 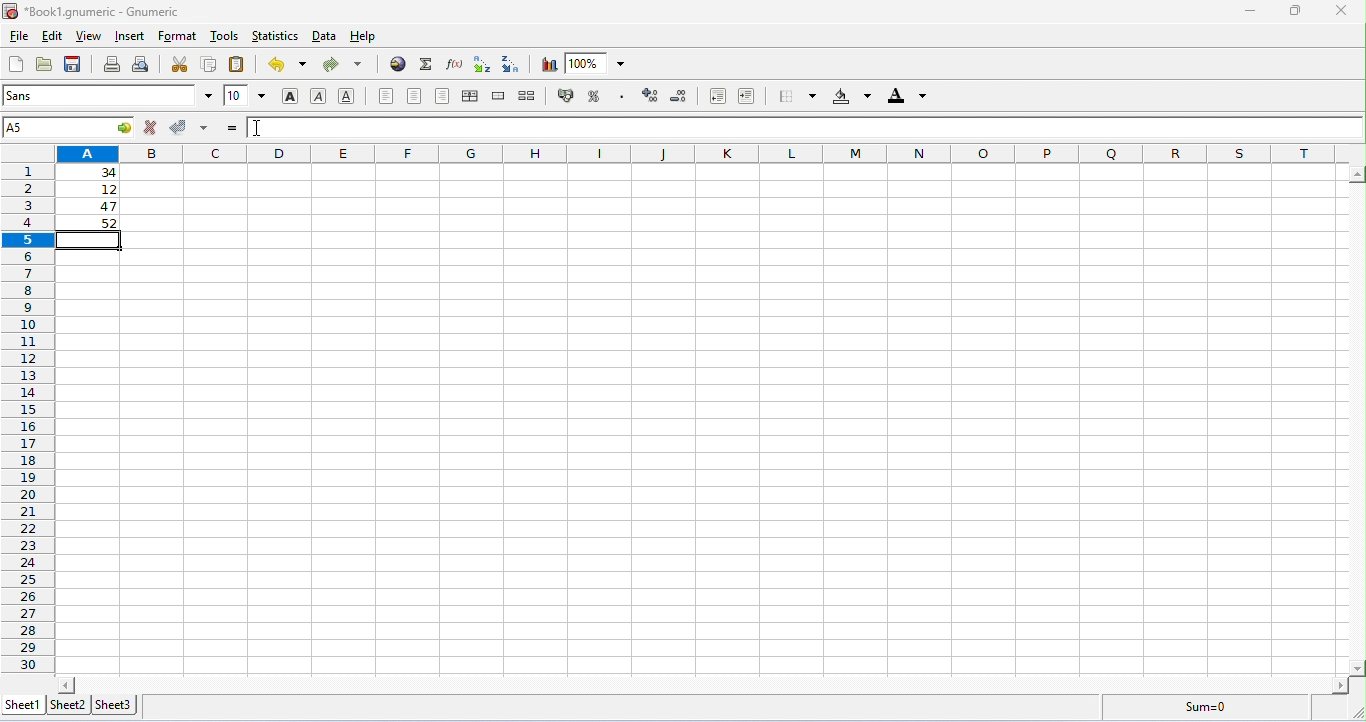 I want to click on insert hyperlink, so click(x=399, y=63).